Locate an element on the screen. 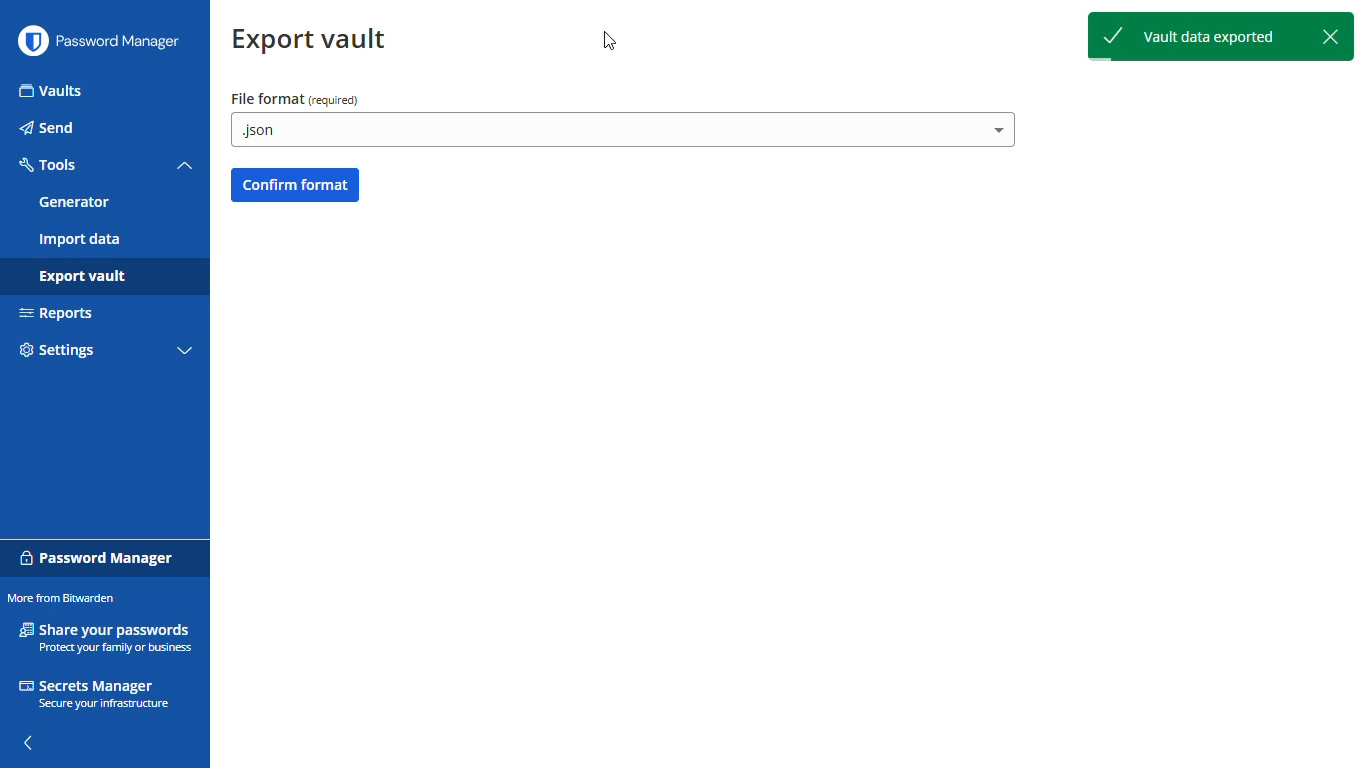 The image size is (1366, 768). more from bitwarden is located at coordinates (63, 597).